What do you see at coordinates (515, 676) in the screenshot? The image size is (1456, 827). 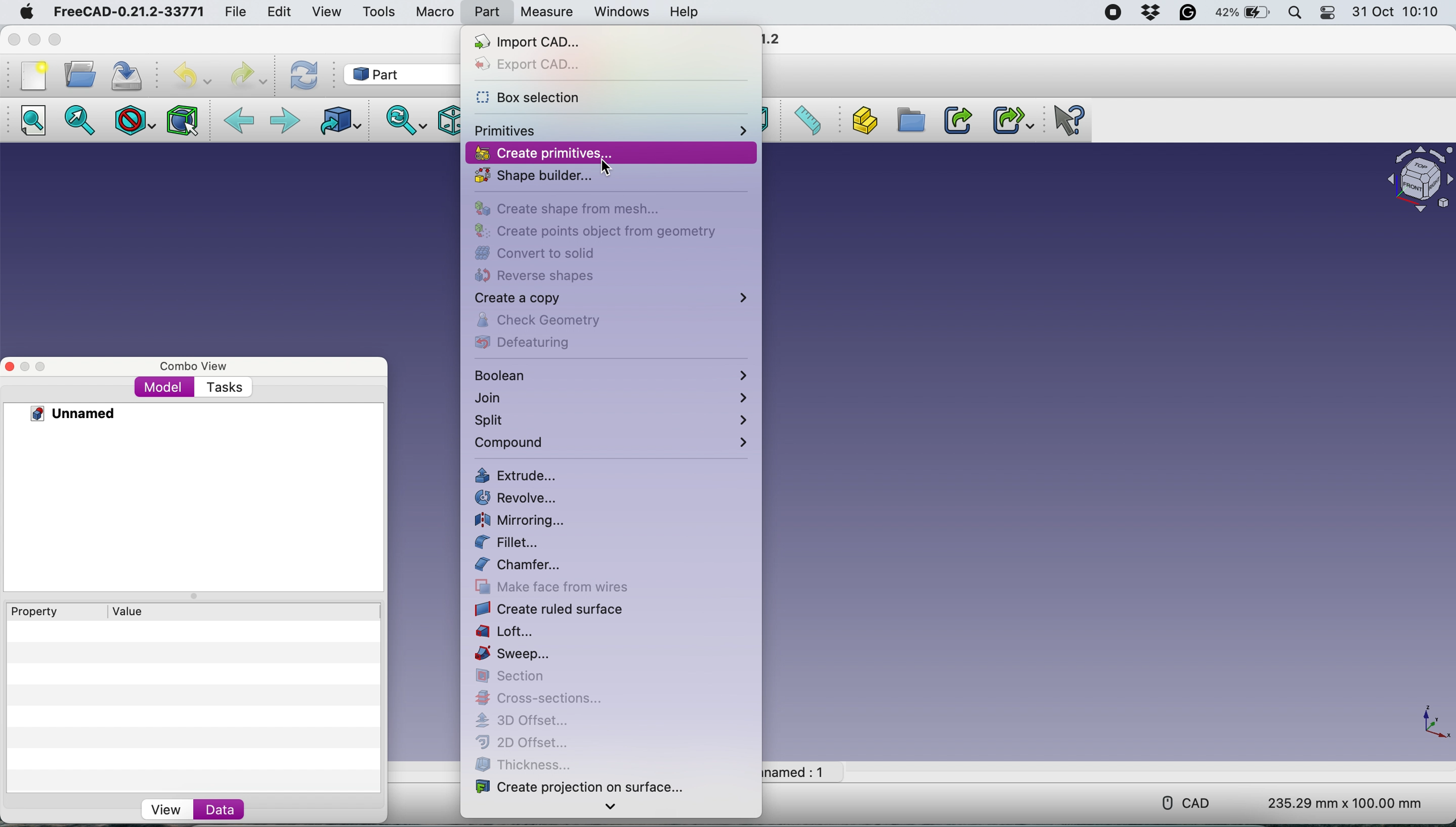 I see `section` at bounding box center [515, 676].